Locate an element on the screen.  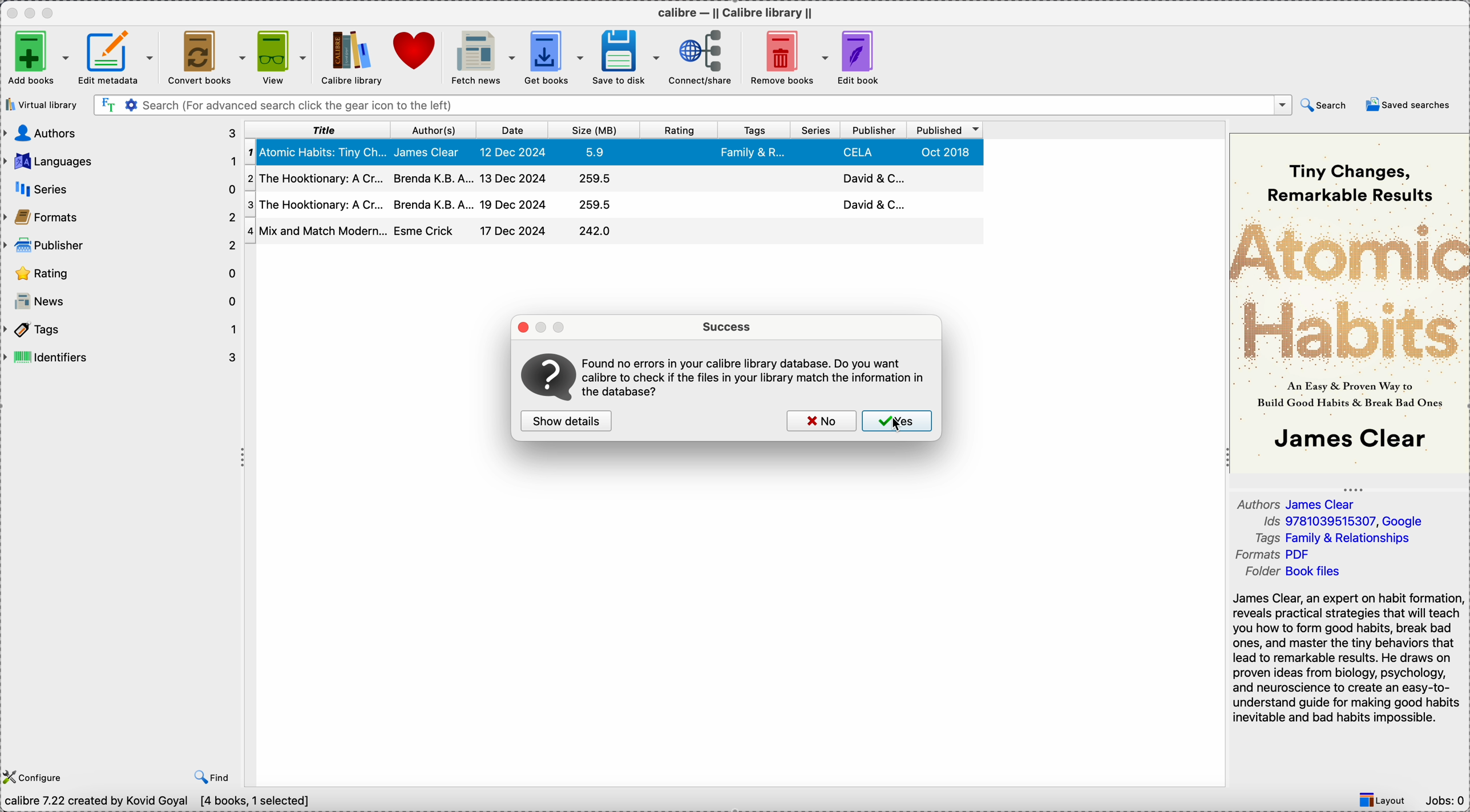
author(s) is located at coordinates (431, 130).